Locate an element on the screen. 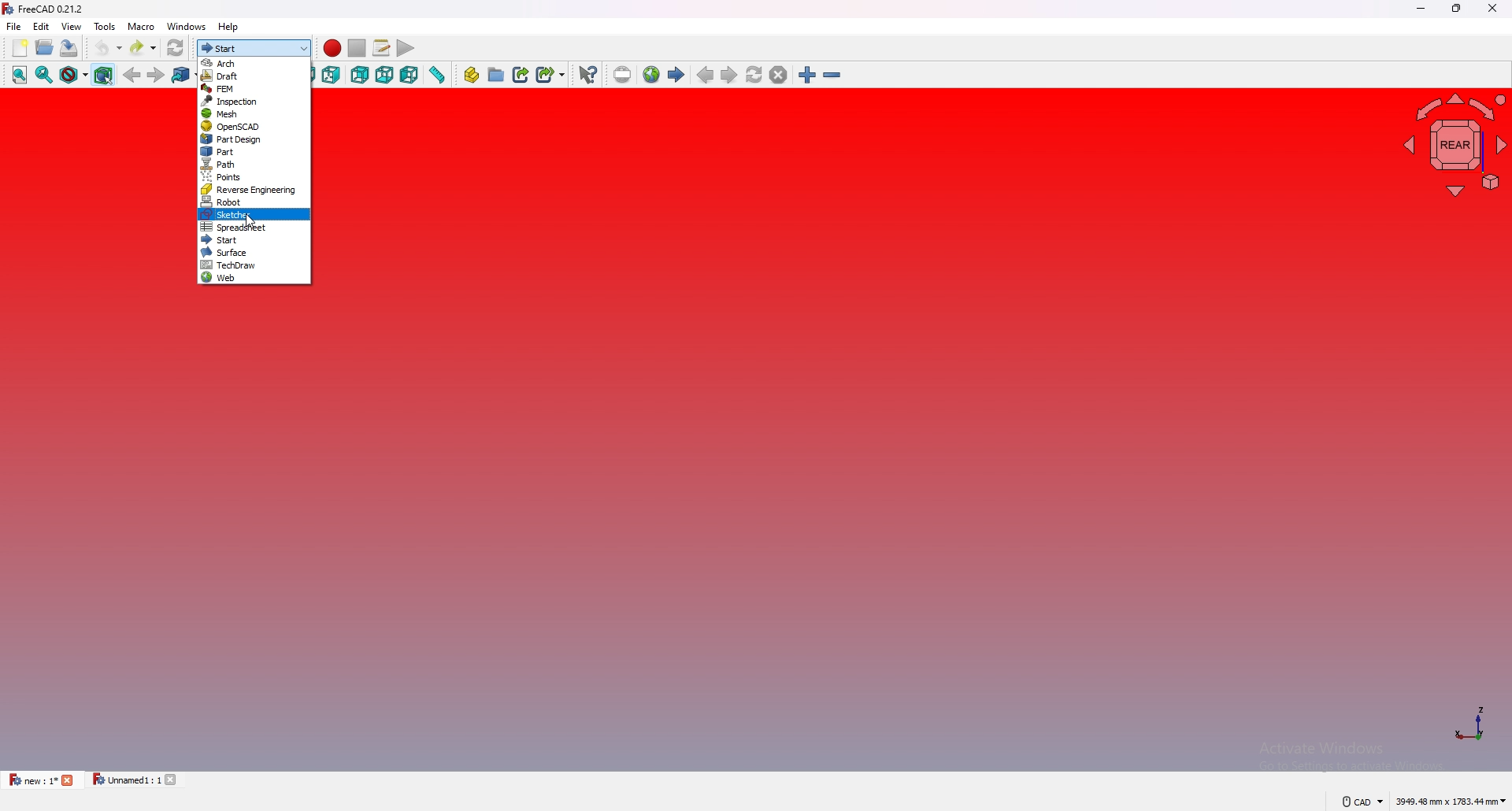  back is located at coordinates (133, 75).